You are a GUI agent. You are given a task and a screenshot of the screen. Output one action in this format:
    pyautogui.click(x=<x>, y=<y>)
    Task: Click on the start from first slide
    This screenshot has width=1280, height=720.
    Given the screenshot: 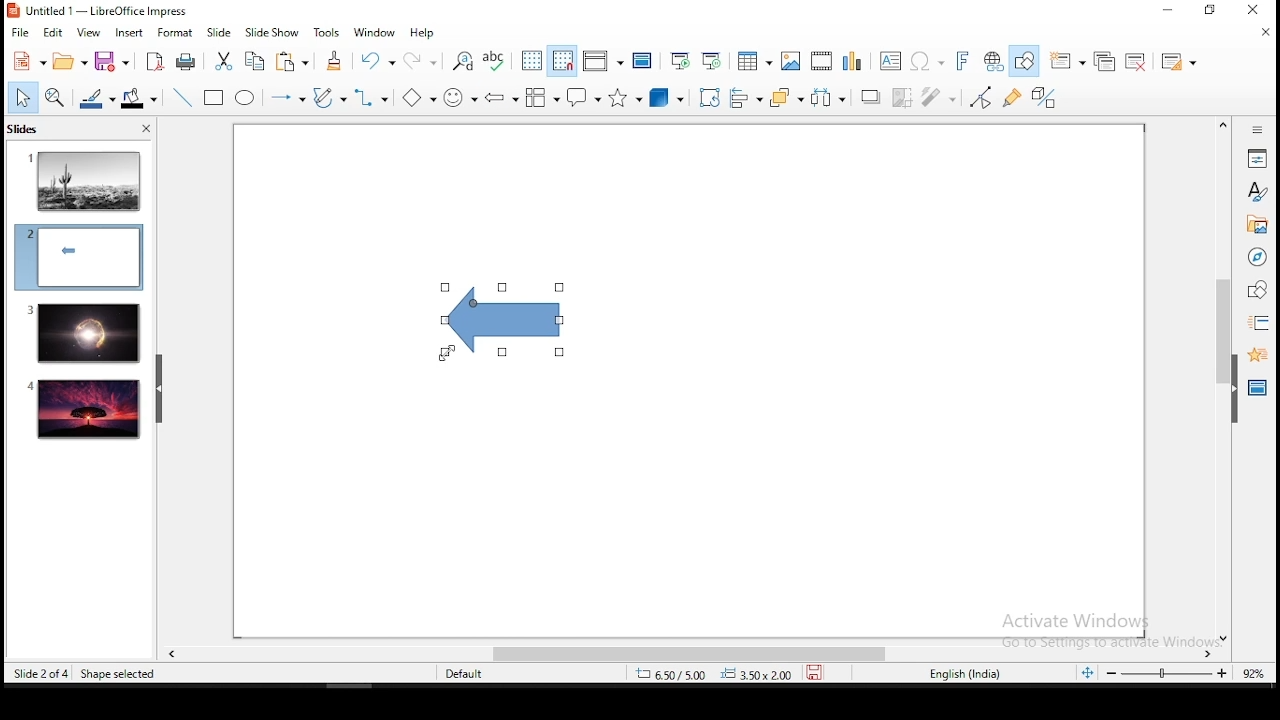 What is the action you would take?
    pyautogui.click(x=680, y=61)
    